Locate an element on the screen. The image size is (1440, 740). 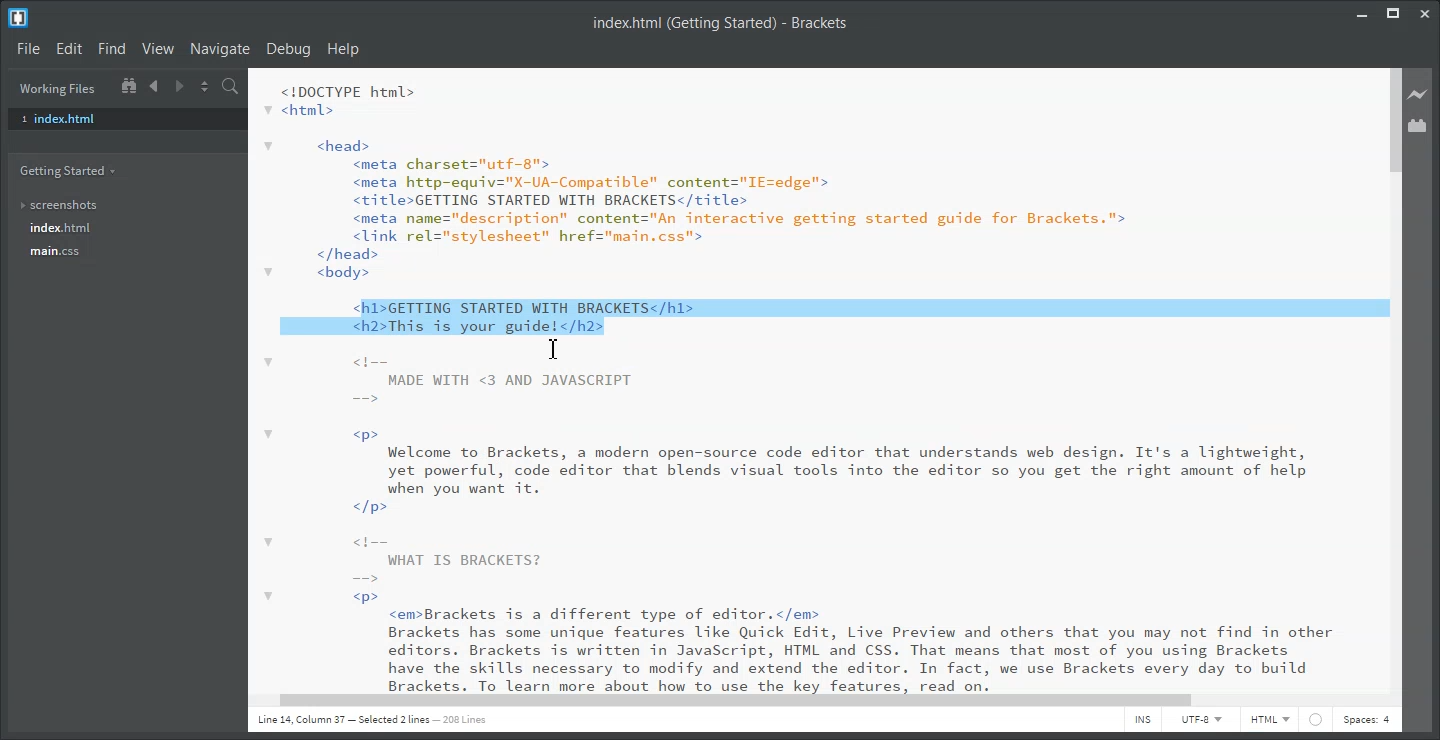
Live Preview is located at coordinates (1421, 94).